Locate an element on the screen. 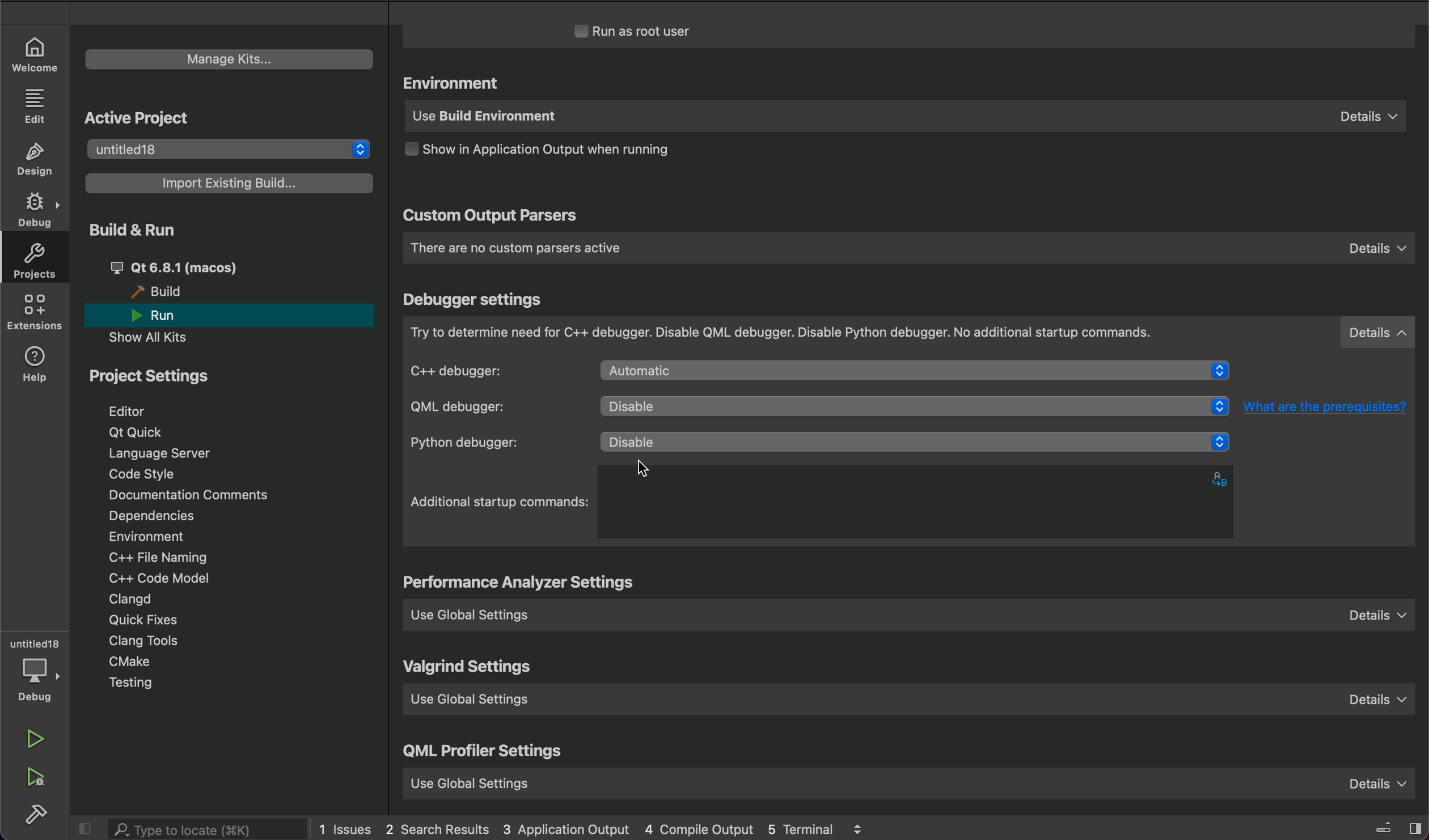 The width and height of the screenshot is (1429, 840). environment is located at coordinates (455, 84).